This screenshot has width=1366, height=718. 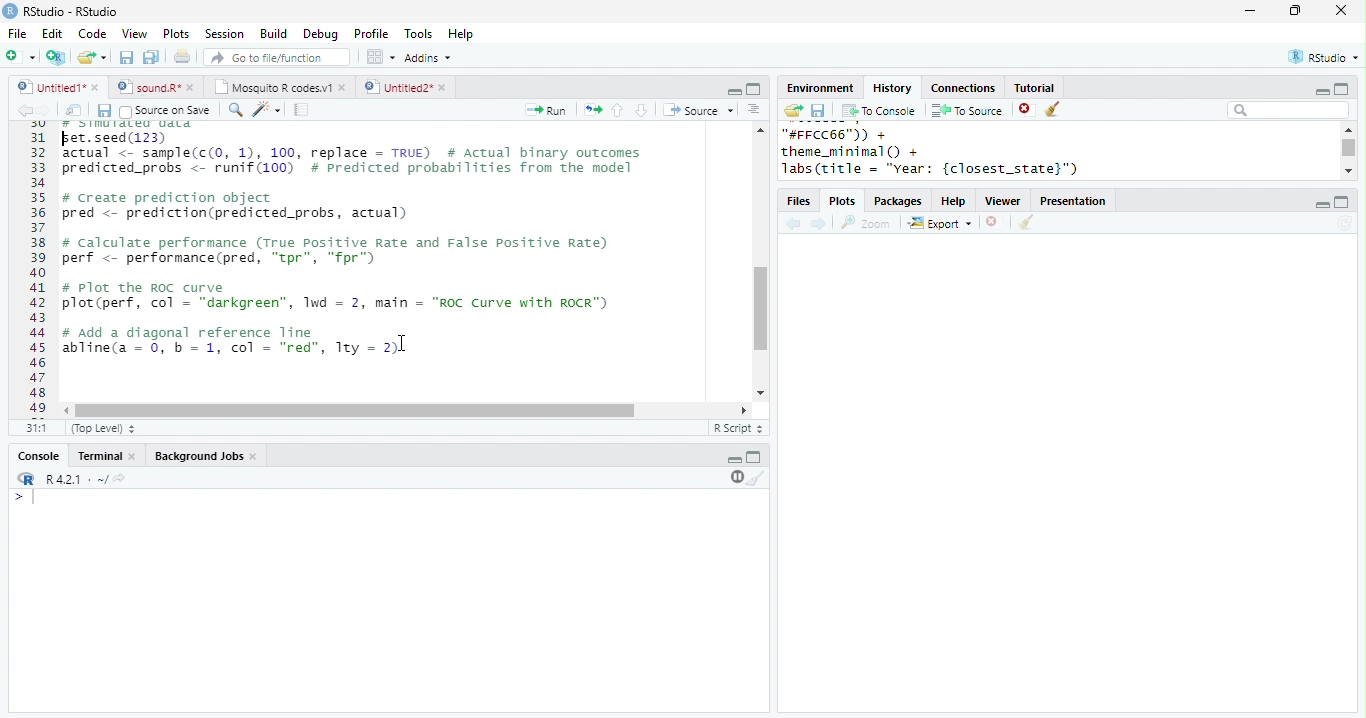 I want to click on save, so click(x=104, y=111).